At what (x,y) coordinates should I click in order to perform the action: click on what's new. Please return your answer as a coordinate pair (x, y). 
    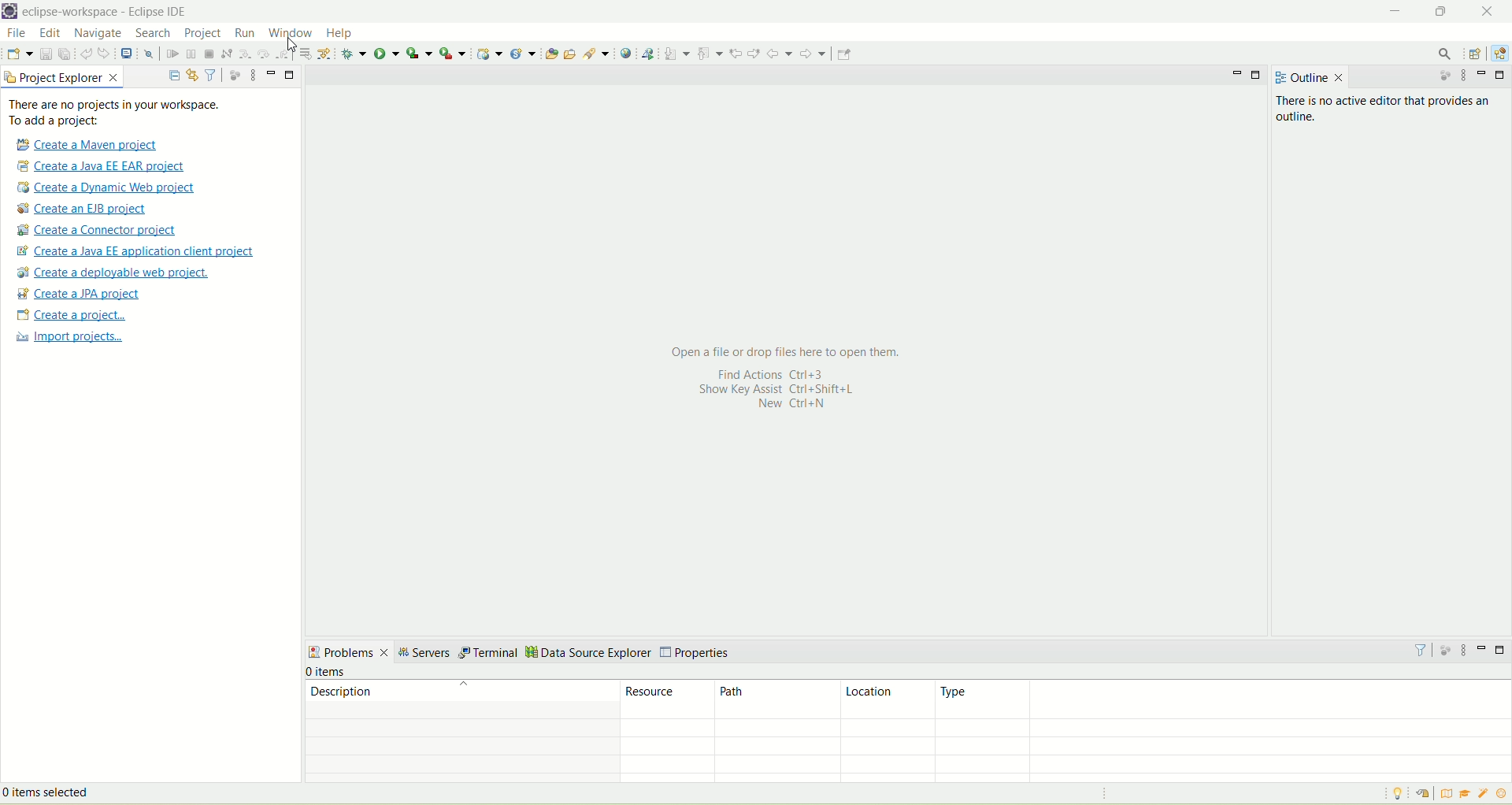
    Looking at the image, I should click on (1503, 794).